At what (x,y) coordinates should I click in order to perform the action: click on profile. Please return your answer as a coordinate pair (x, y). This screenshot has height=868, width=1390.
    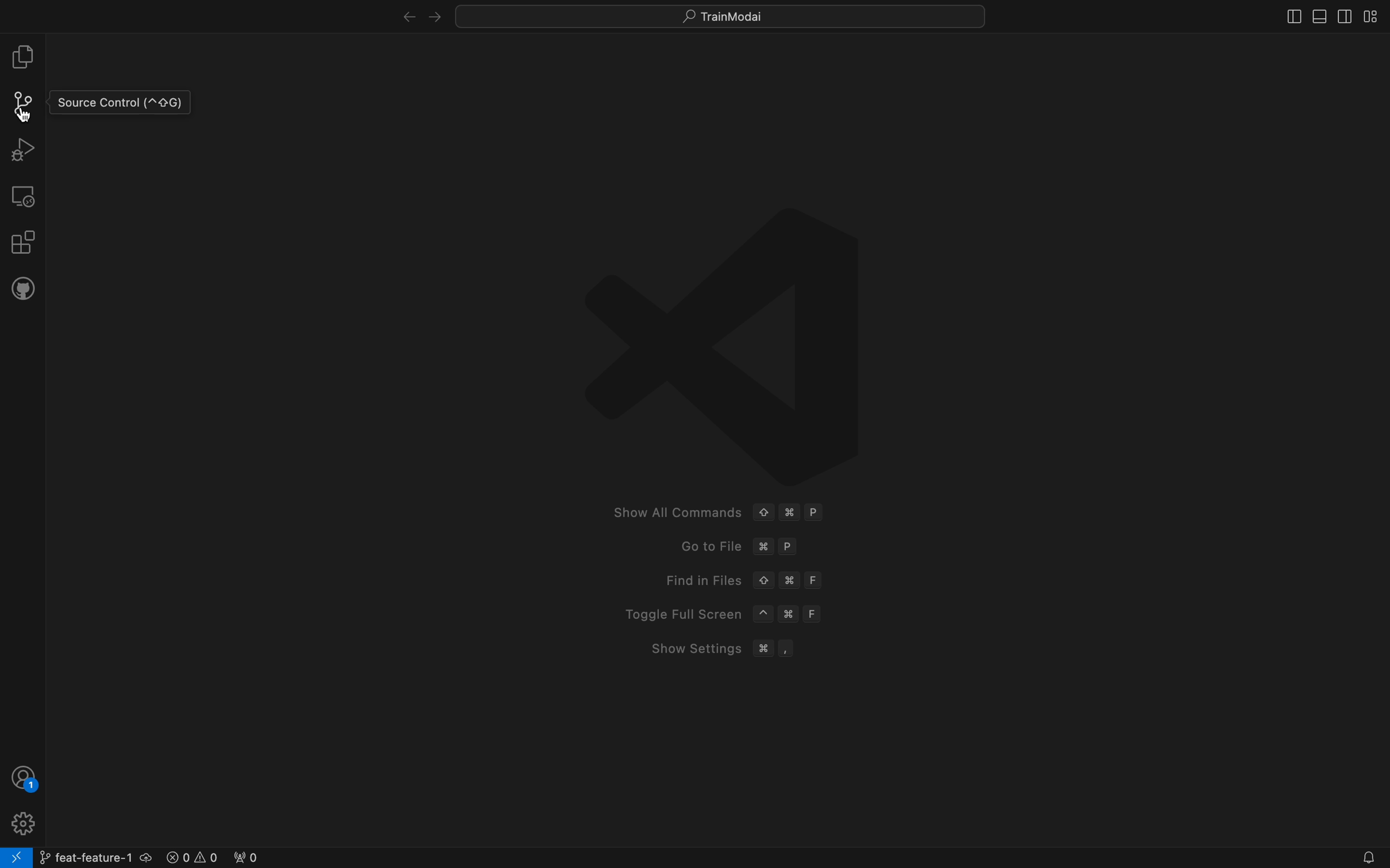
    Looking at the image, I should click on (21, 822).